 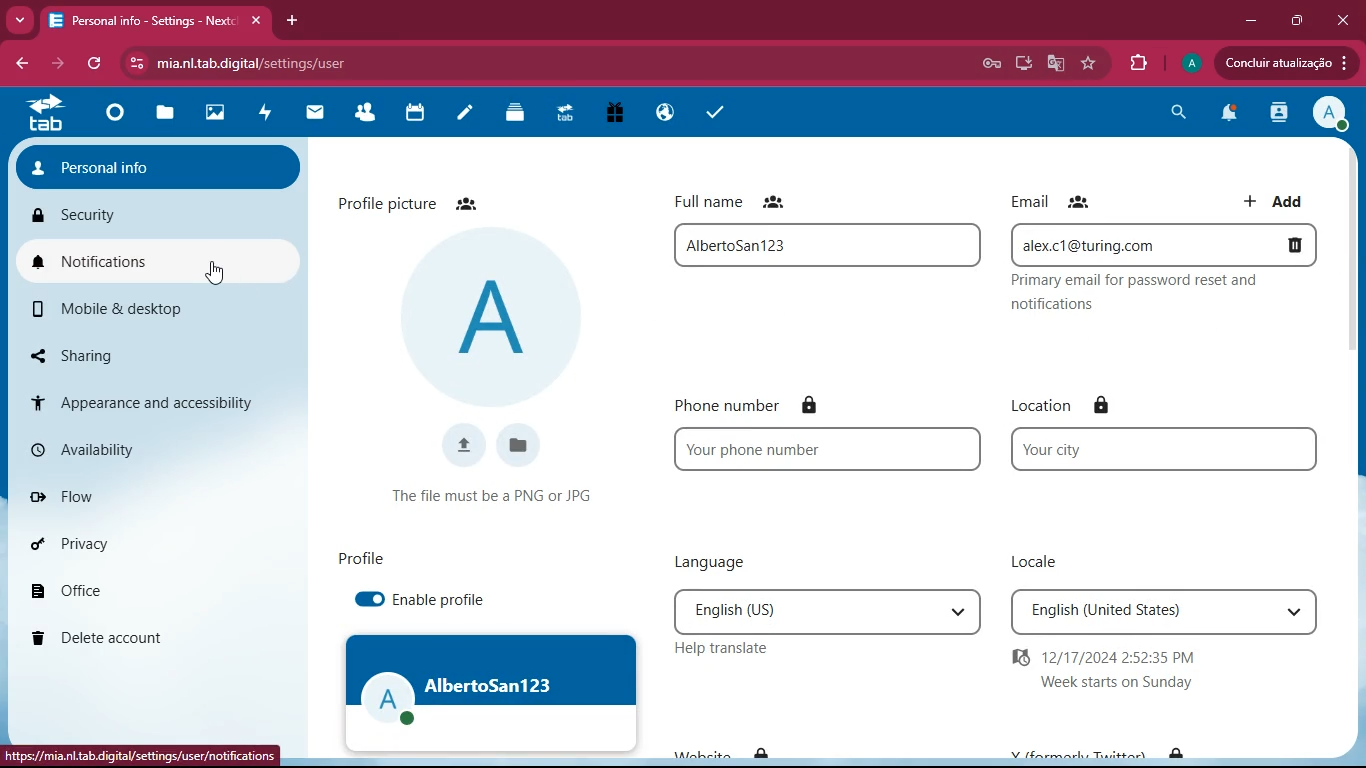 I want to click on full name, so click(x=736, y=201).